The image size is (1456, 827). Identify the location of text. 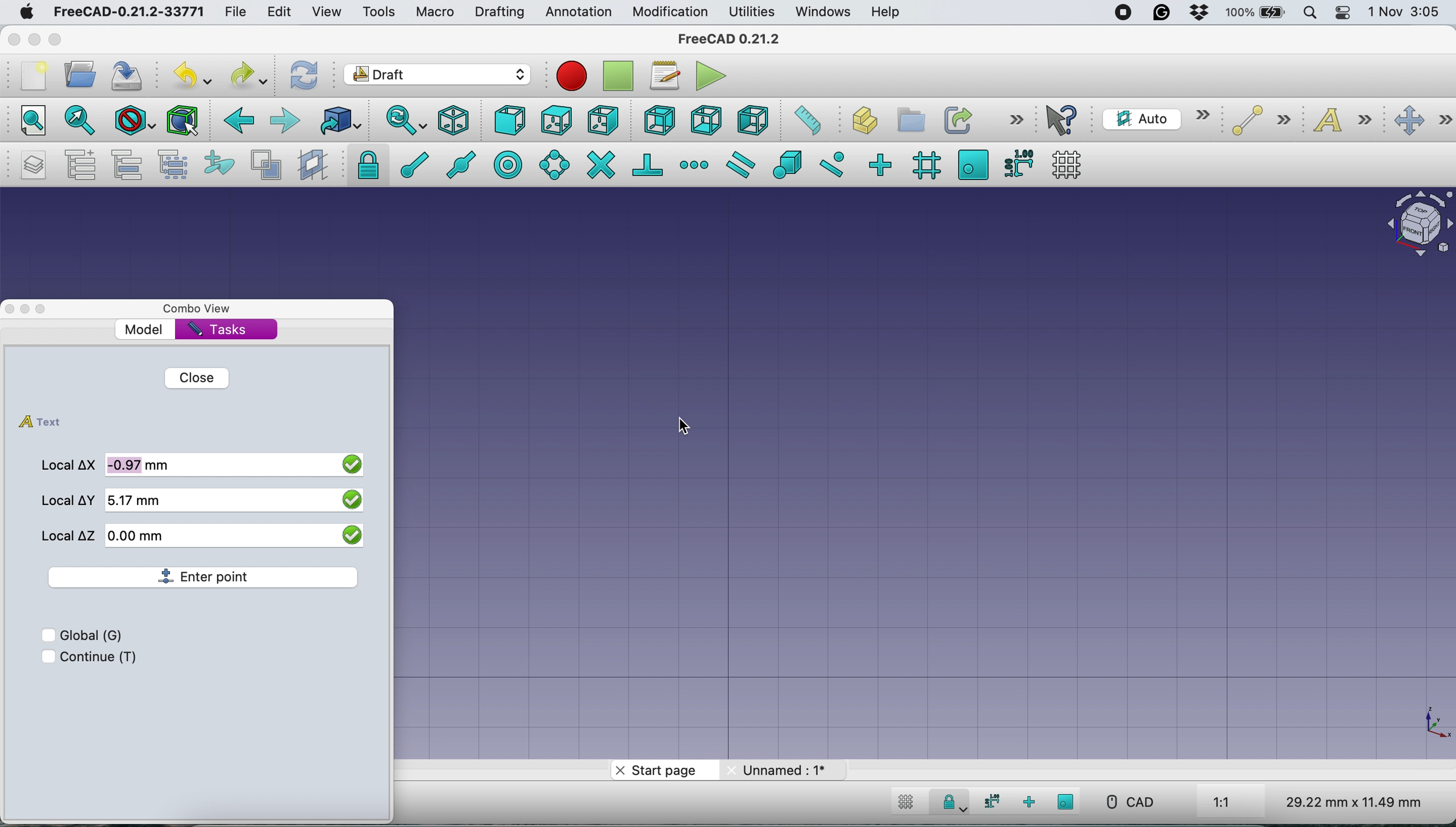
(47, 424).